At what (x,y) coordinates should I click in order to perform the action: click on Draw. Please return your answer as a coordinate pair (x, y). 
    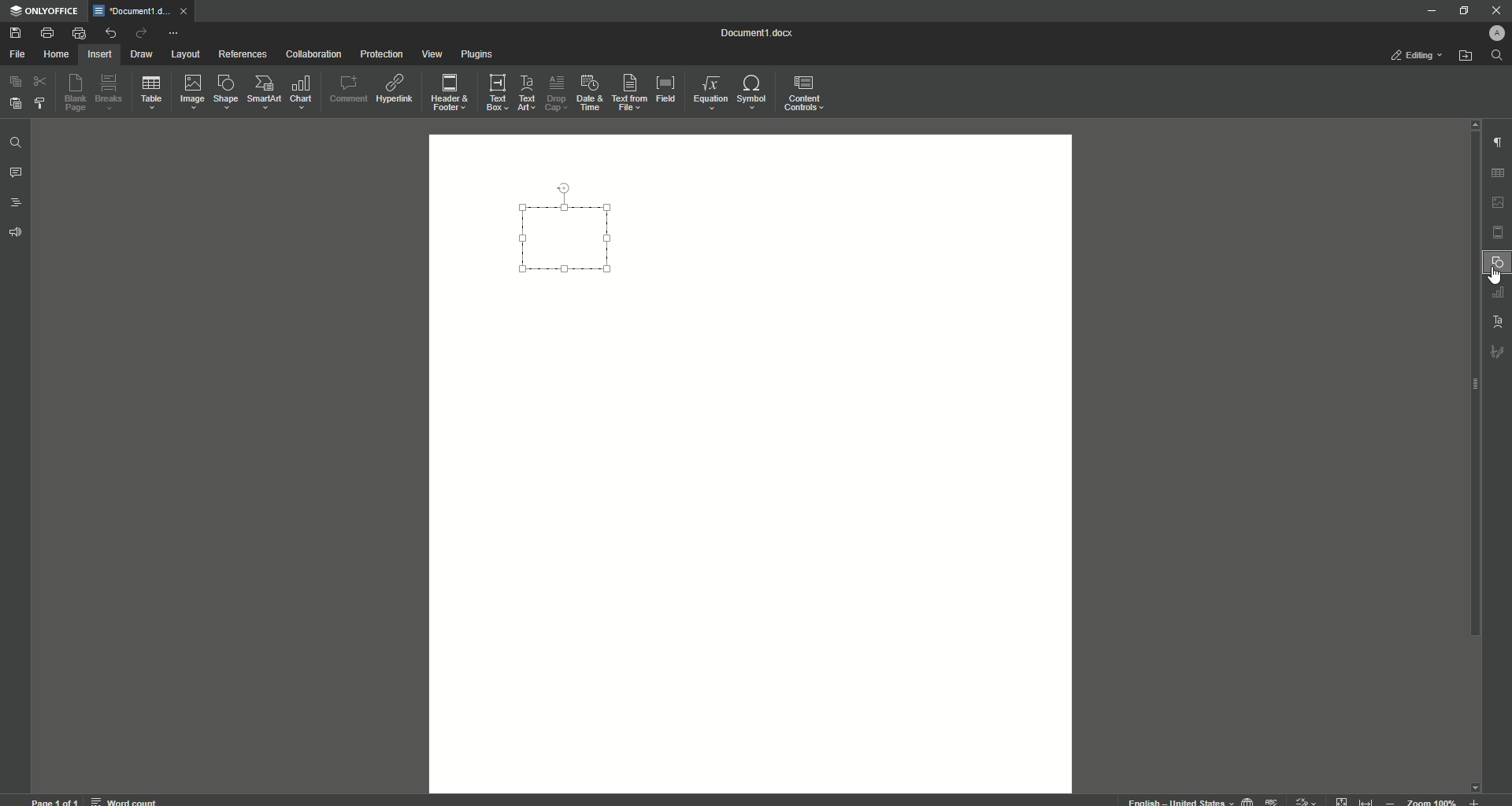
    Looking at the image, I should click on (143, 55).